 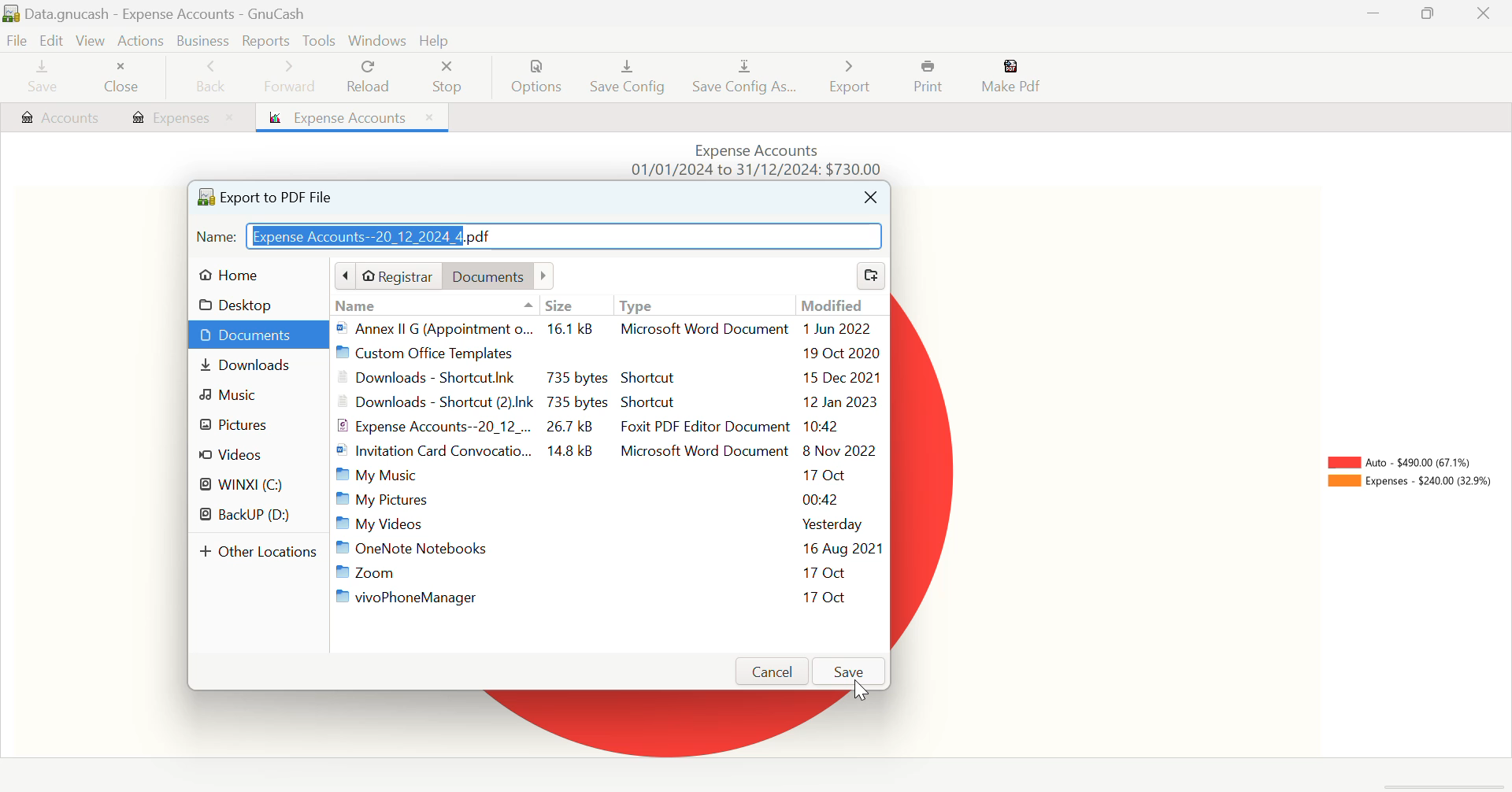 I want to click on Downloads, so click(x=259, y=368).